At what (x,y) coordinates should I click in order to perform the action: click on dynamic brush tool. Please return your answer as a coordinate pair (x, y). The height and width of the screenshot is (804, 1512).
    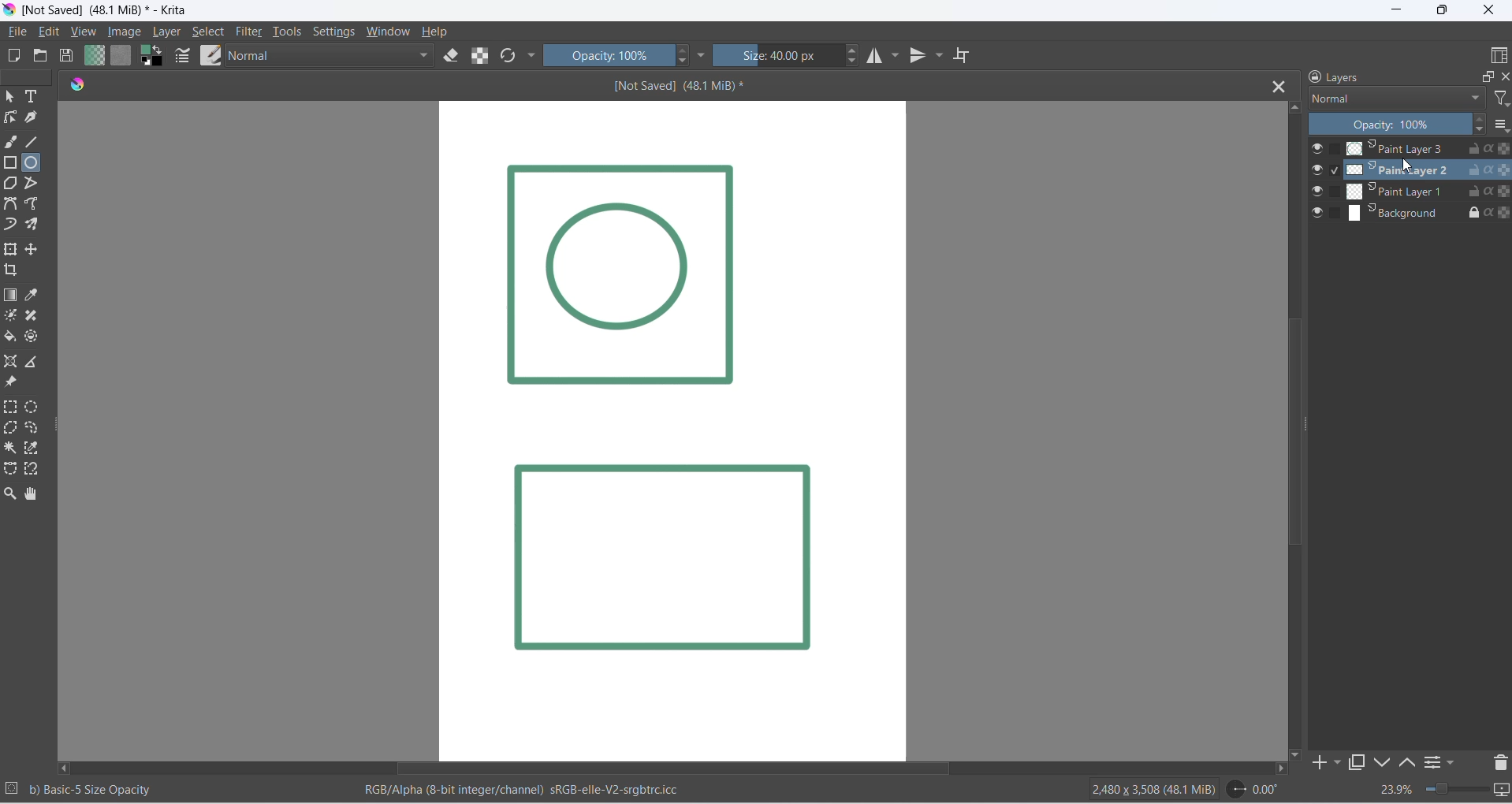
    Looking at the image, I should click on (13, 226).